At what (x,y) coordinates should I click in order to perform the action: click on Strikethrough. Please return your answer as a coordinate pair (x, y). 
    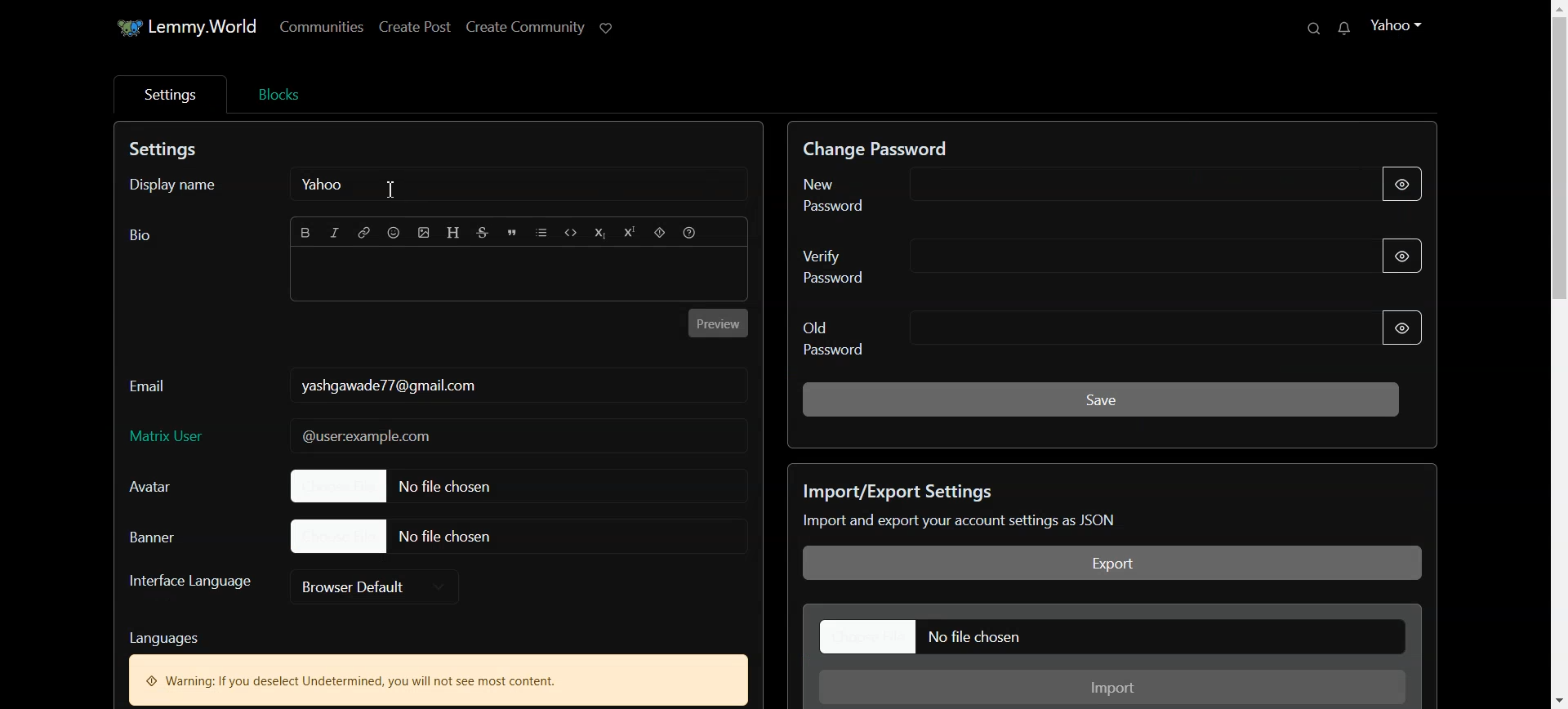
    Looking at the image, I should click on (483, 234).